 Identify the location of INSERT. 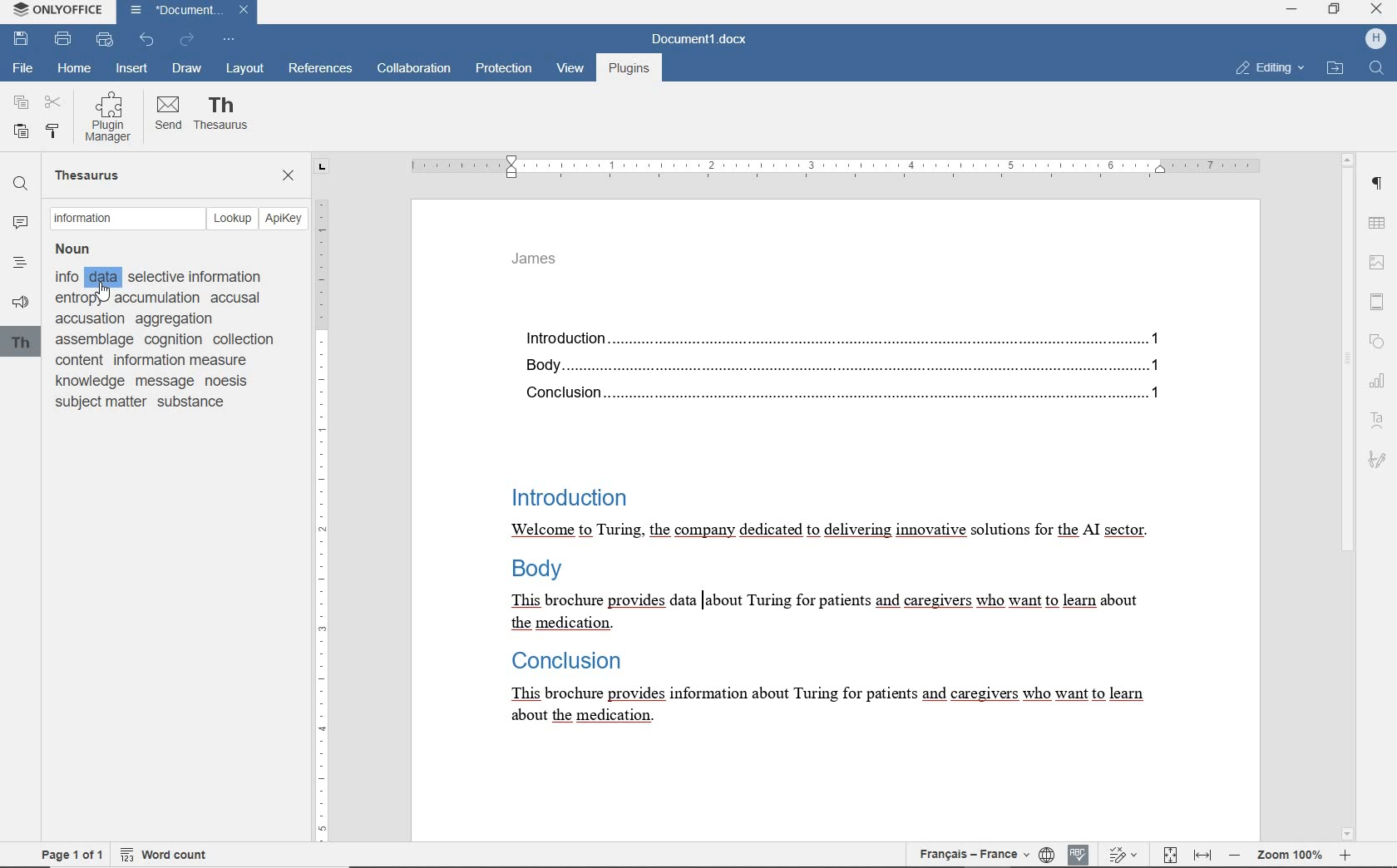
(132, 69).